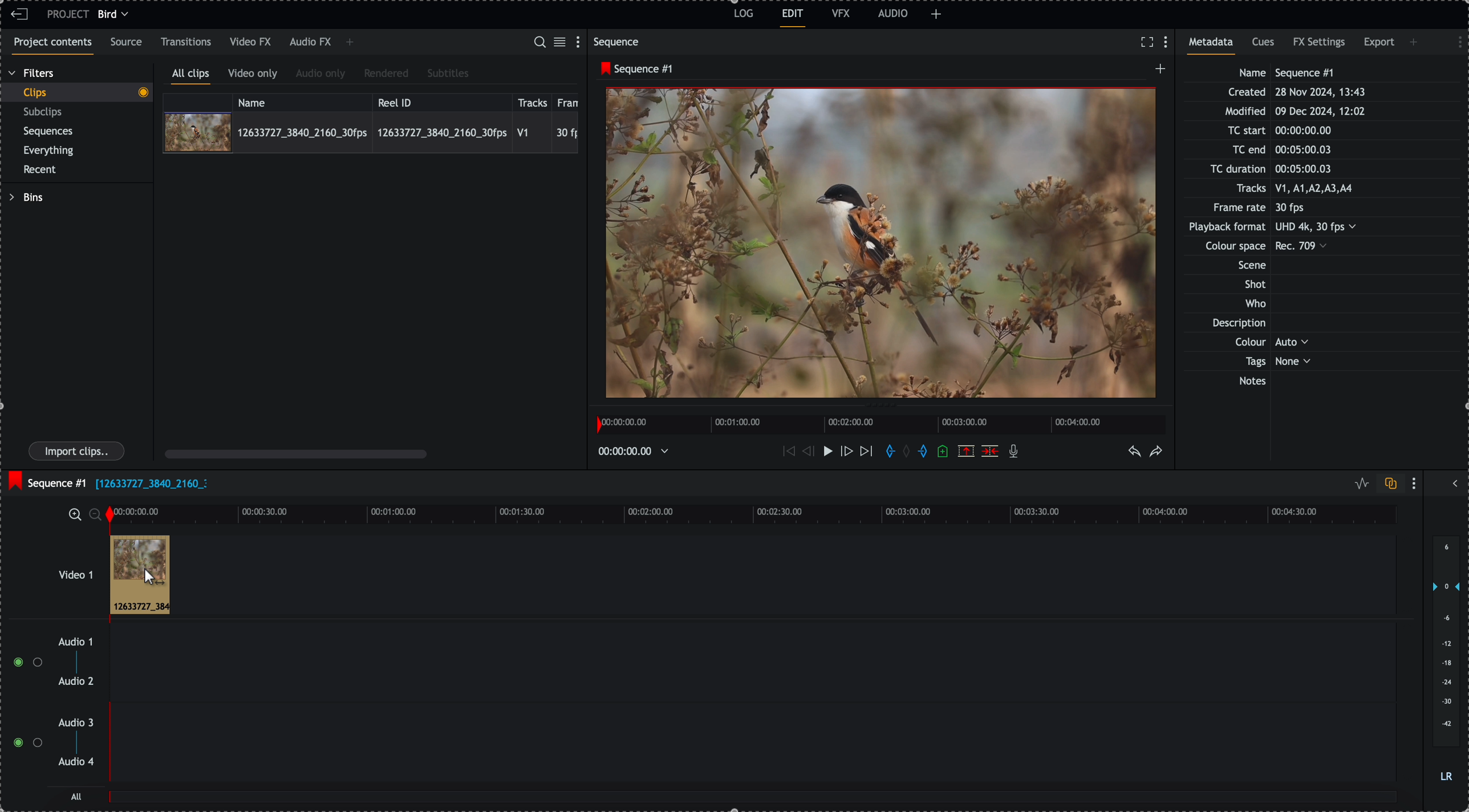 The width and height of the screenshot is (1469, 812). What do you see at coordinates (71, 643) in the screenshot?
I see `audio 1` at bounding box center [71, 643].